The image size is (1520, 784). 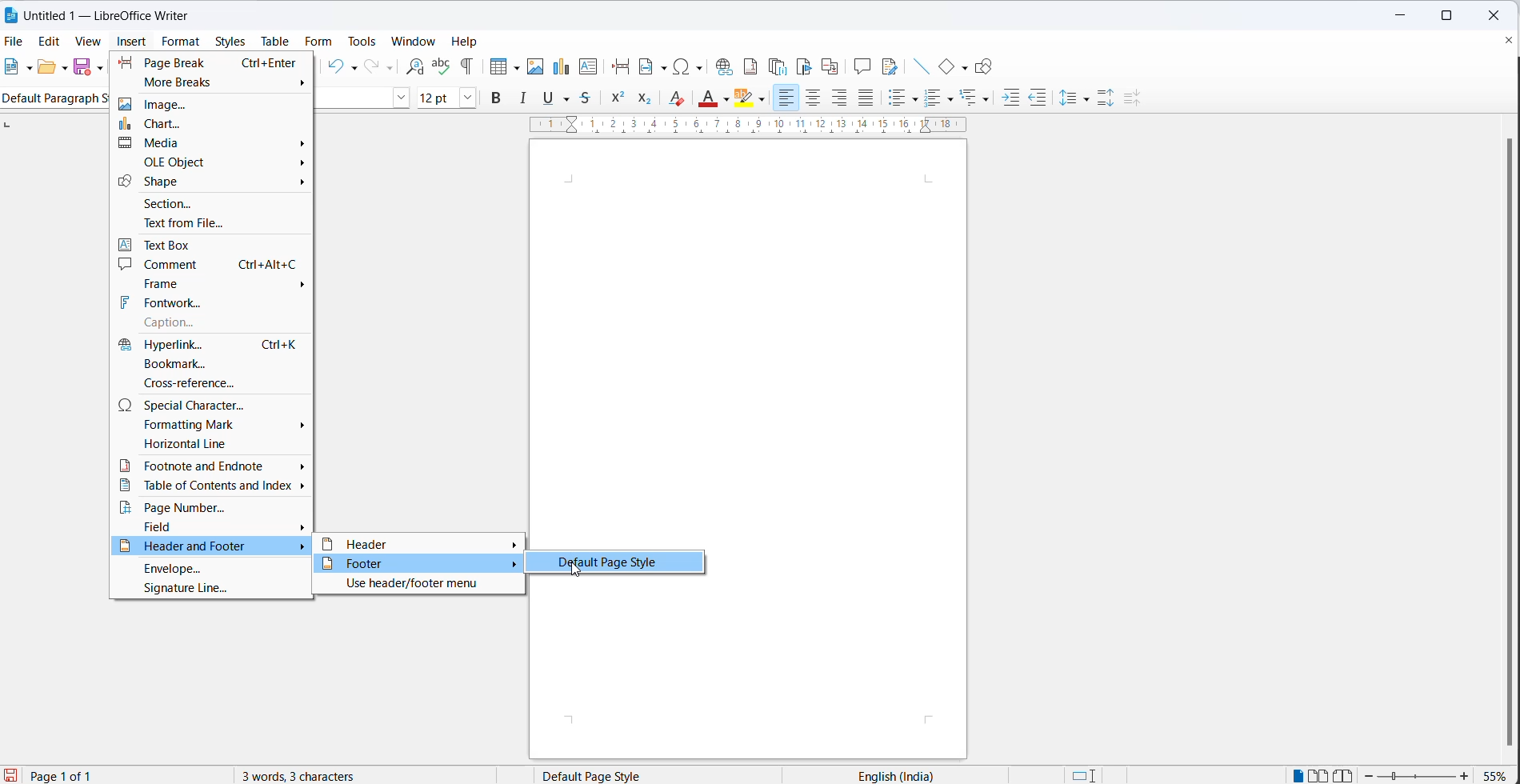 I want to click on edit, so click(x=53, y=42).